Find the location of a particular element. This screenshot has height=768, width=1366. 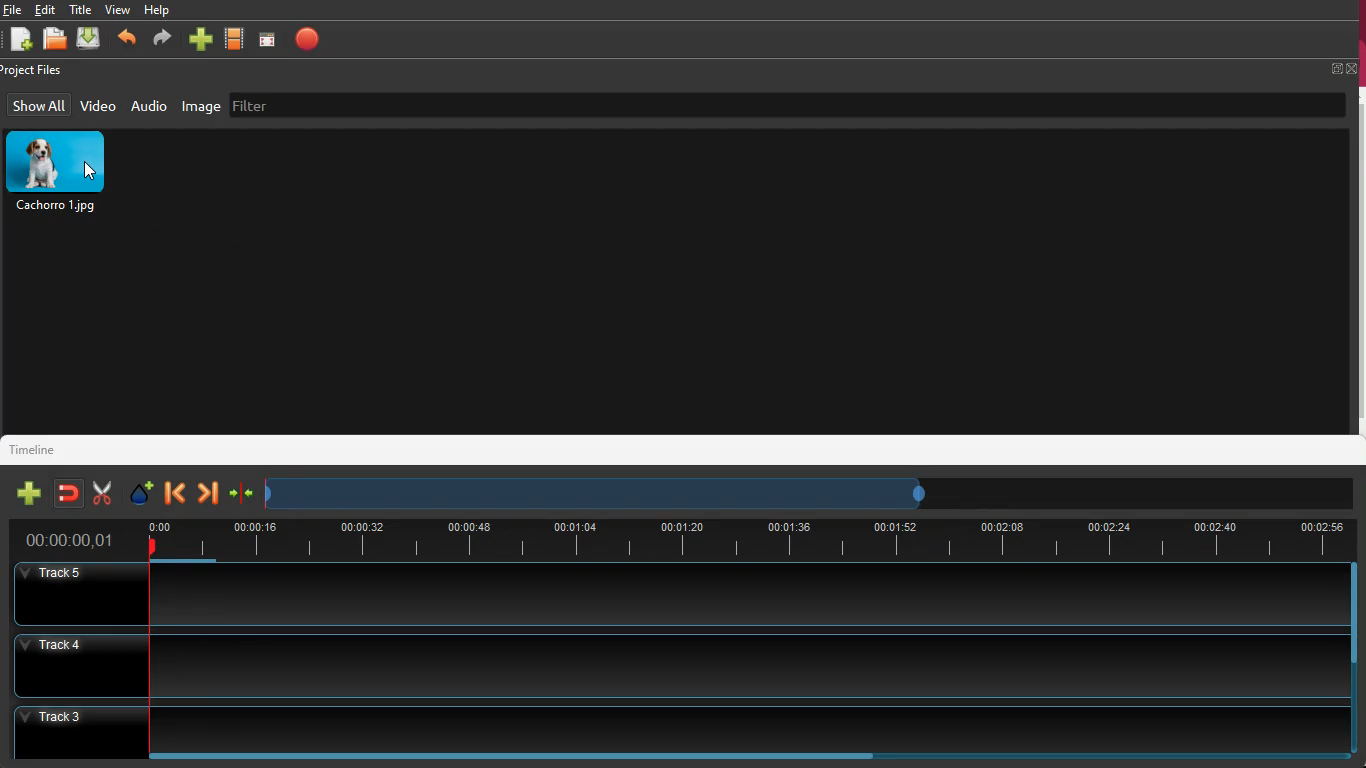

full screen is located at coordinates (1344, 68).